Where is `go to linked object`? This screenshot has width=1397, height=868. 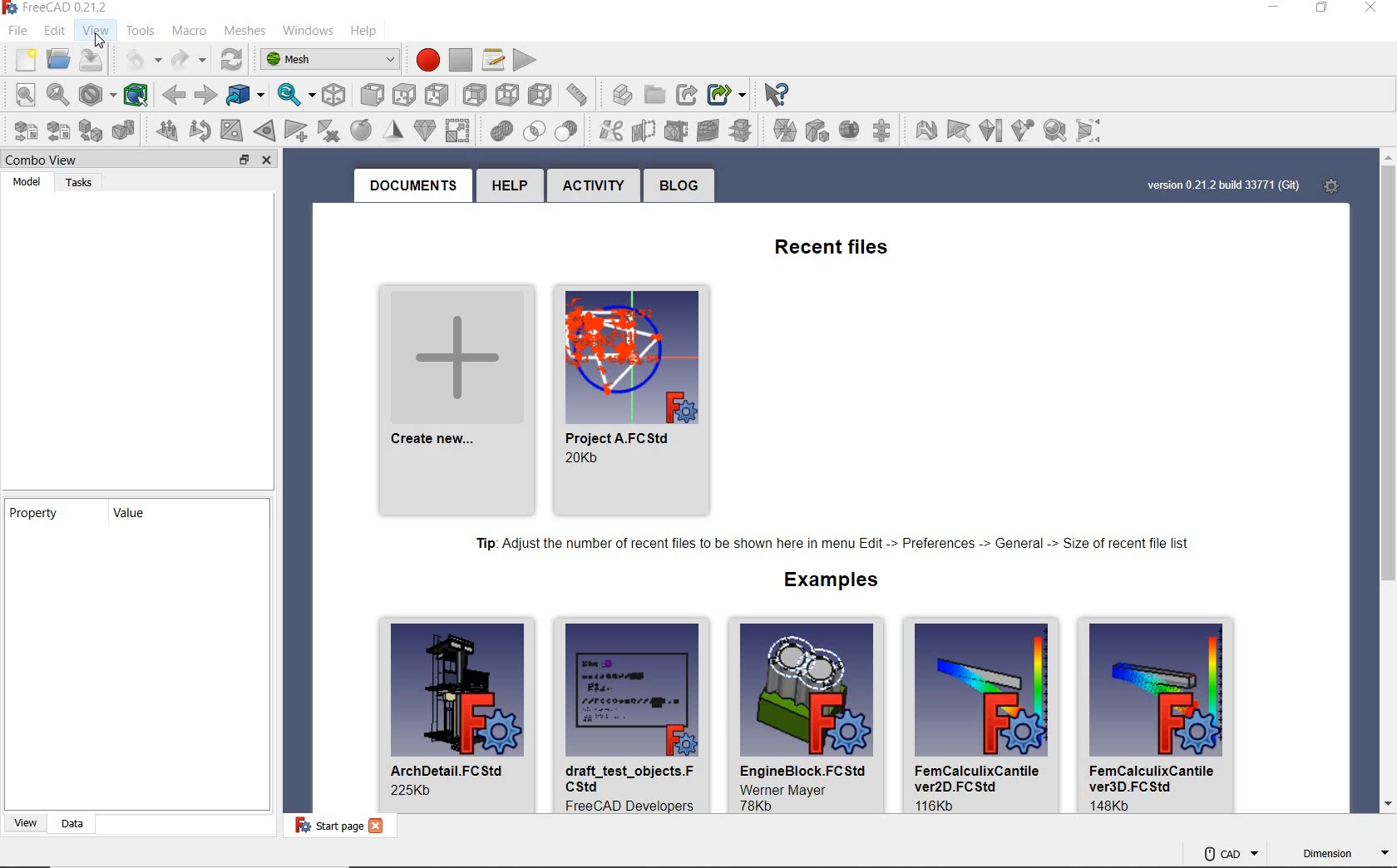 go to linked object is located at coordinates (244, 93).